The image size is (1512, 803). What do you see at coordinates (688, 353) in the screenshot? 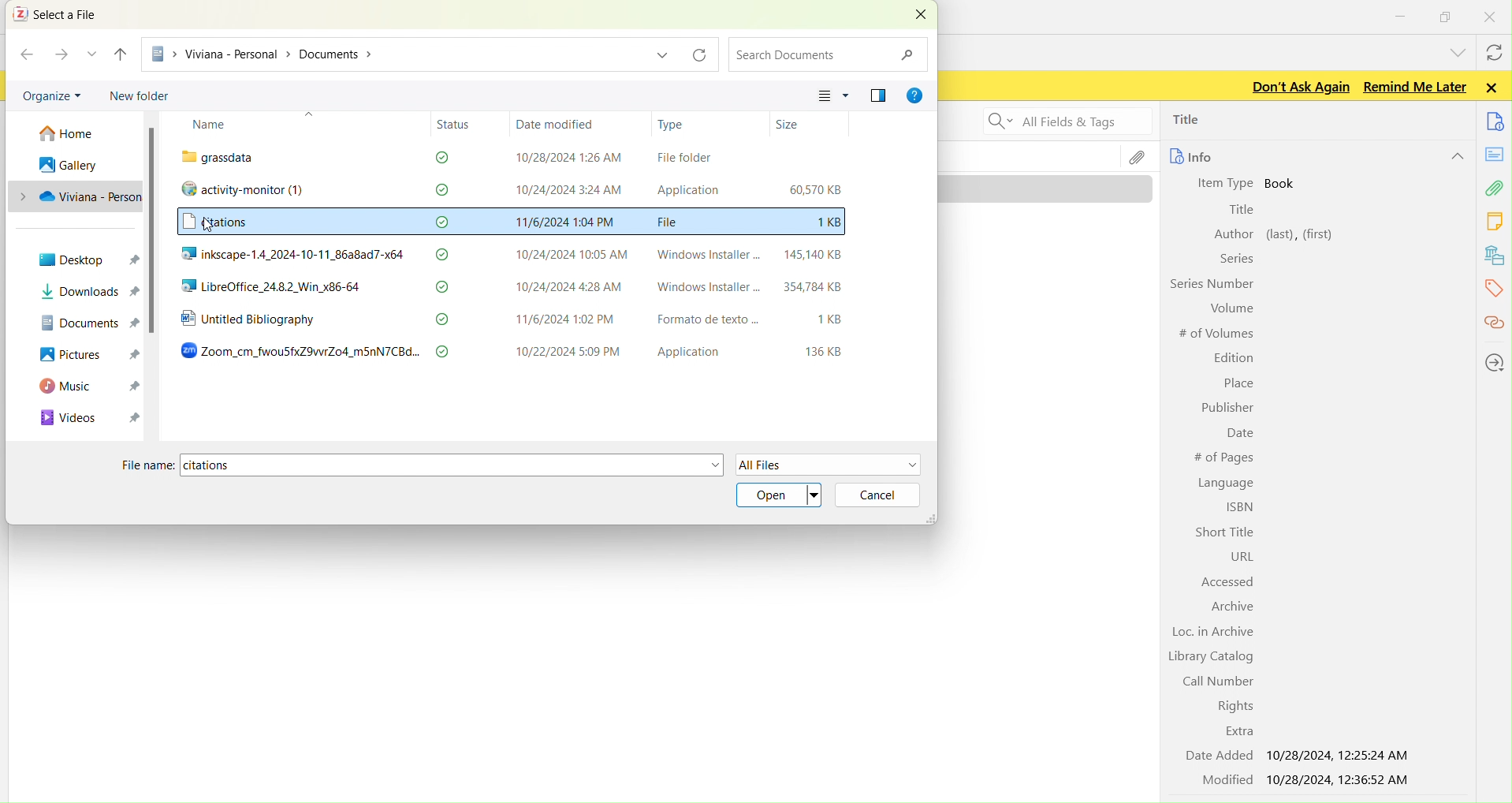
I see `Application` at bounding box center [688, 353].